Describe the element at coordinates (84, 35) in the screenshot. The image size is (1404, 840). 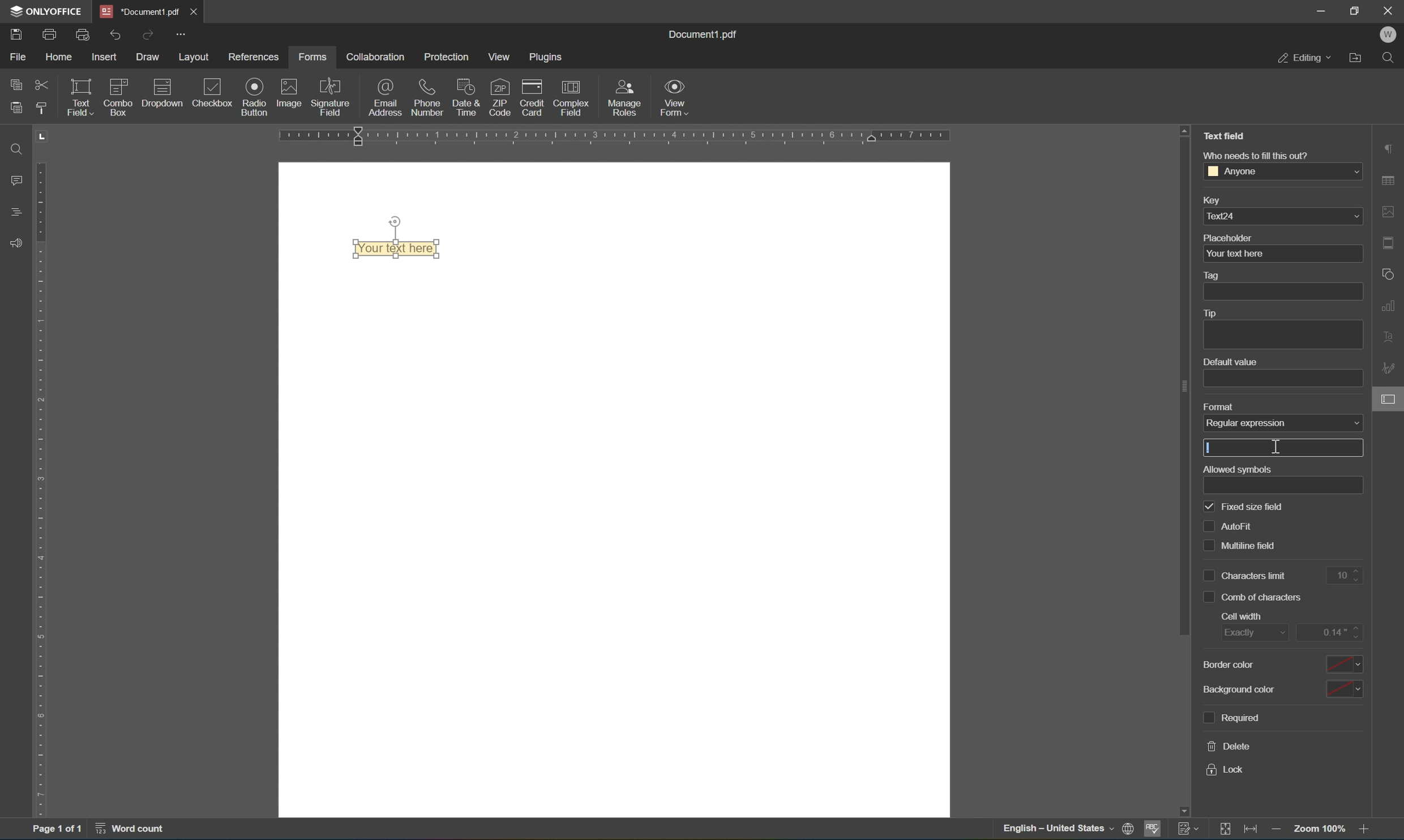
I see `quick print` at that location.